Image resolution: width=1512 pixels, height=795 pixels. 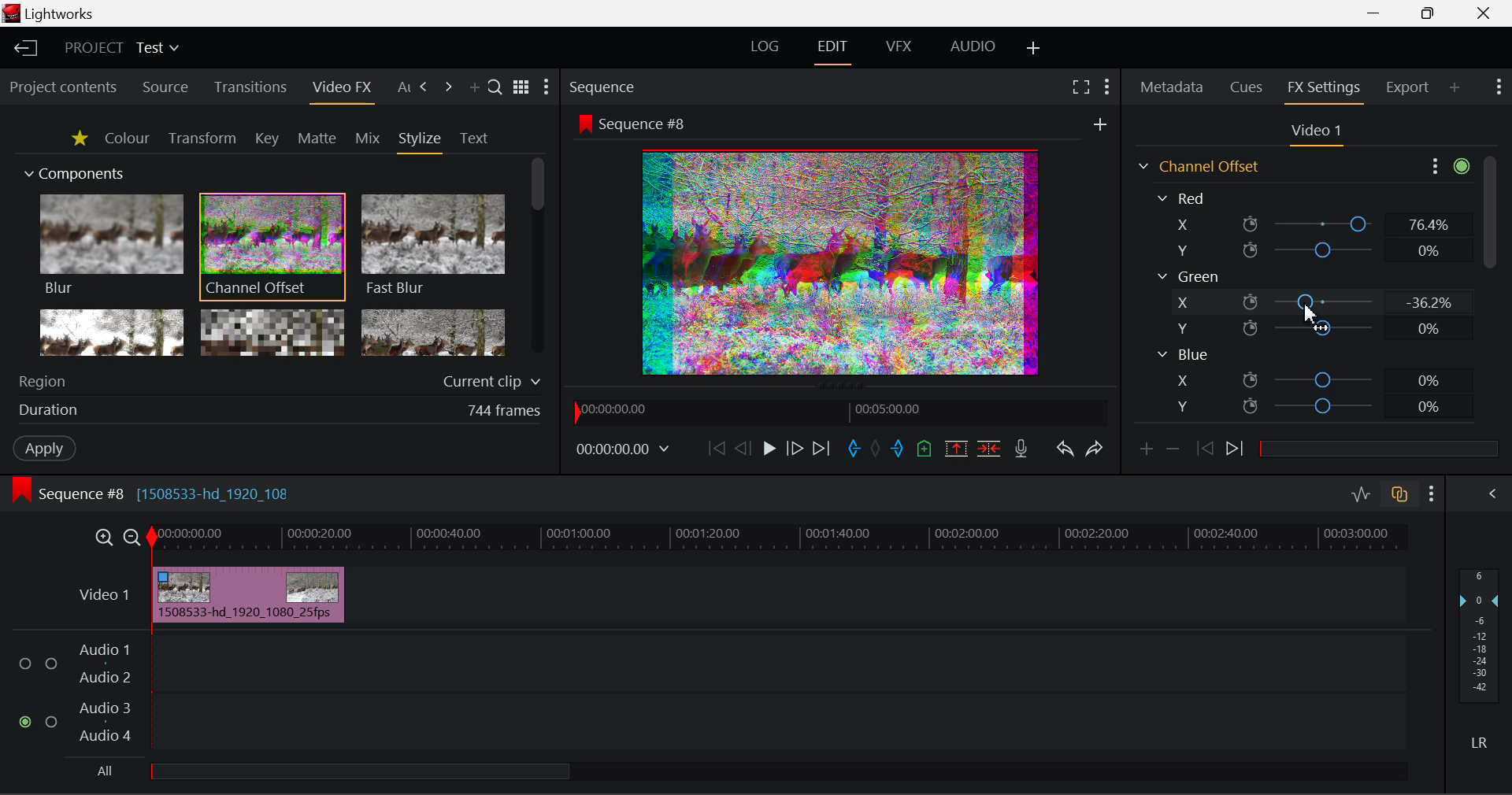 What do you see at coordinates (548, 87) in the screenshot?
I see `Show Settings` at bounding box center [548, 87].